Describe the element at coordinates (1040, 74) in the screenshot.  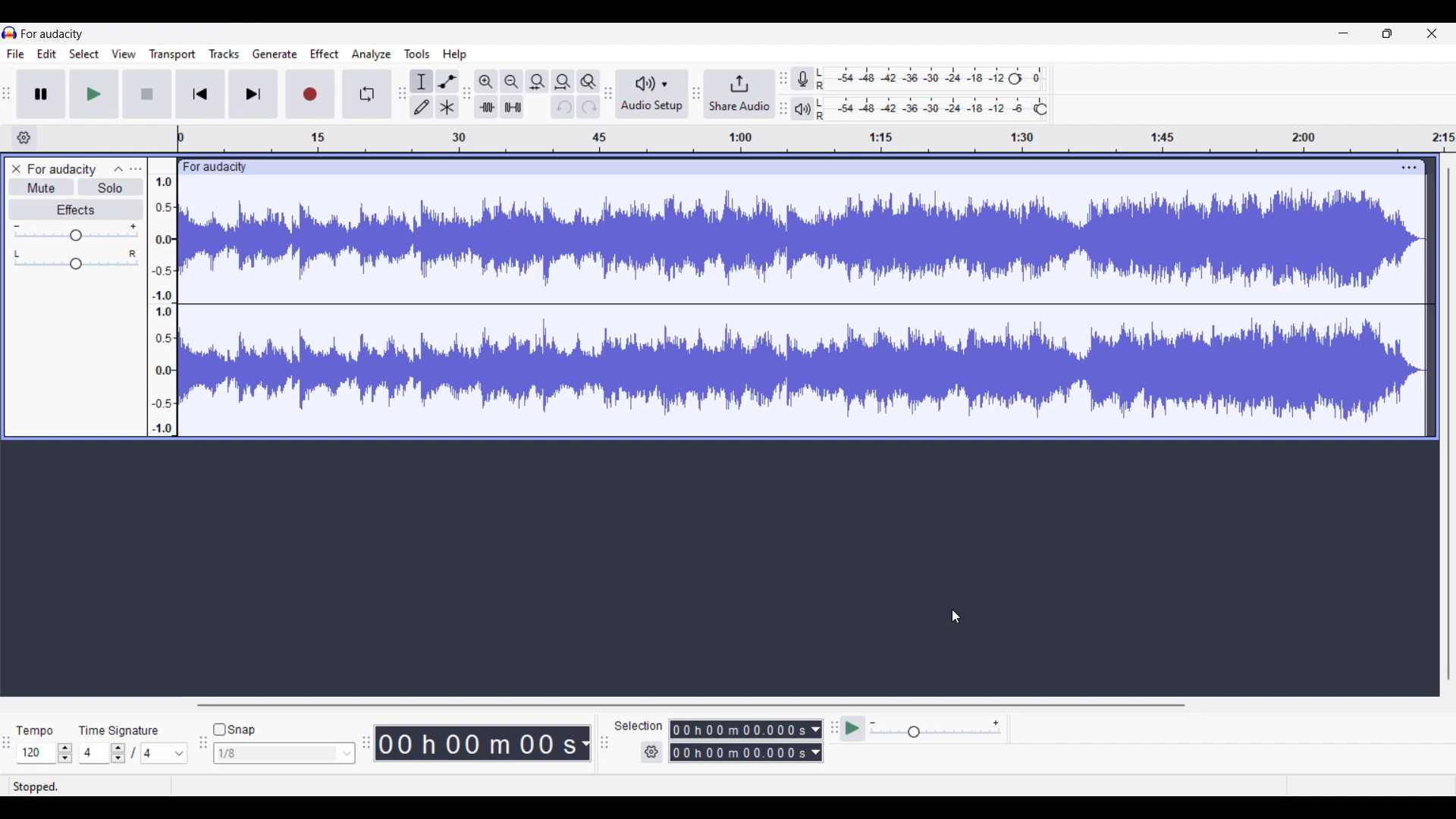
I see `0` at that location.